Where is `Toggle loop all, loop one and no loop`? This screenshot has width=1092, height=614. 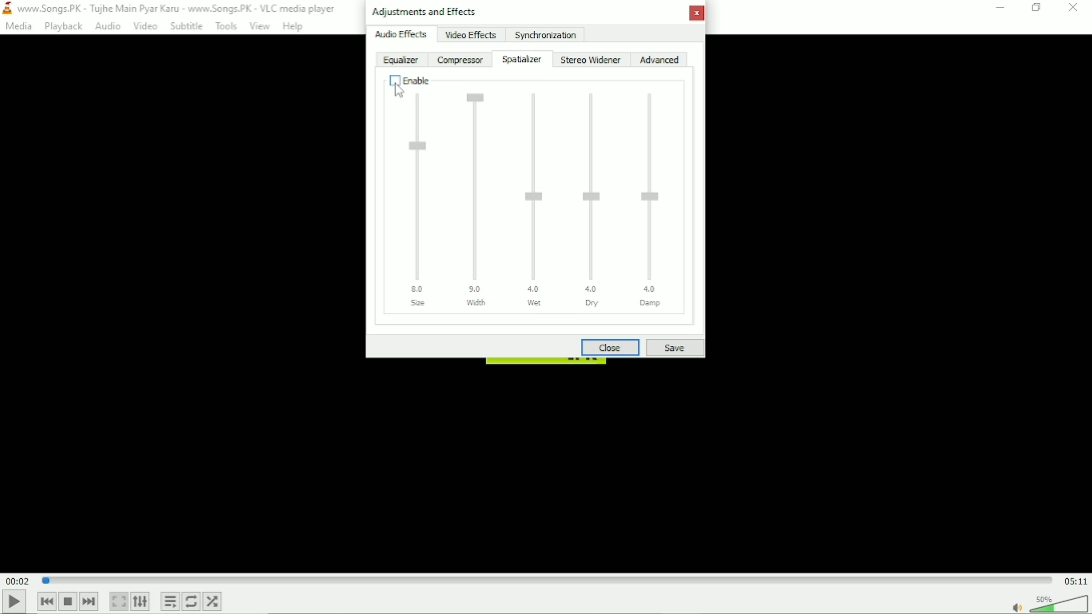 Toggle loop all, loop one and no loop is located at coordinates (190, 601).